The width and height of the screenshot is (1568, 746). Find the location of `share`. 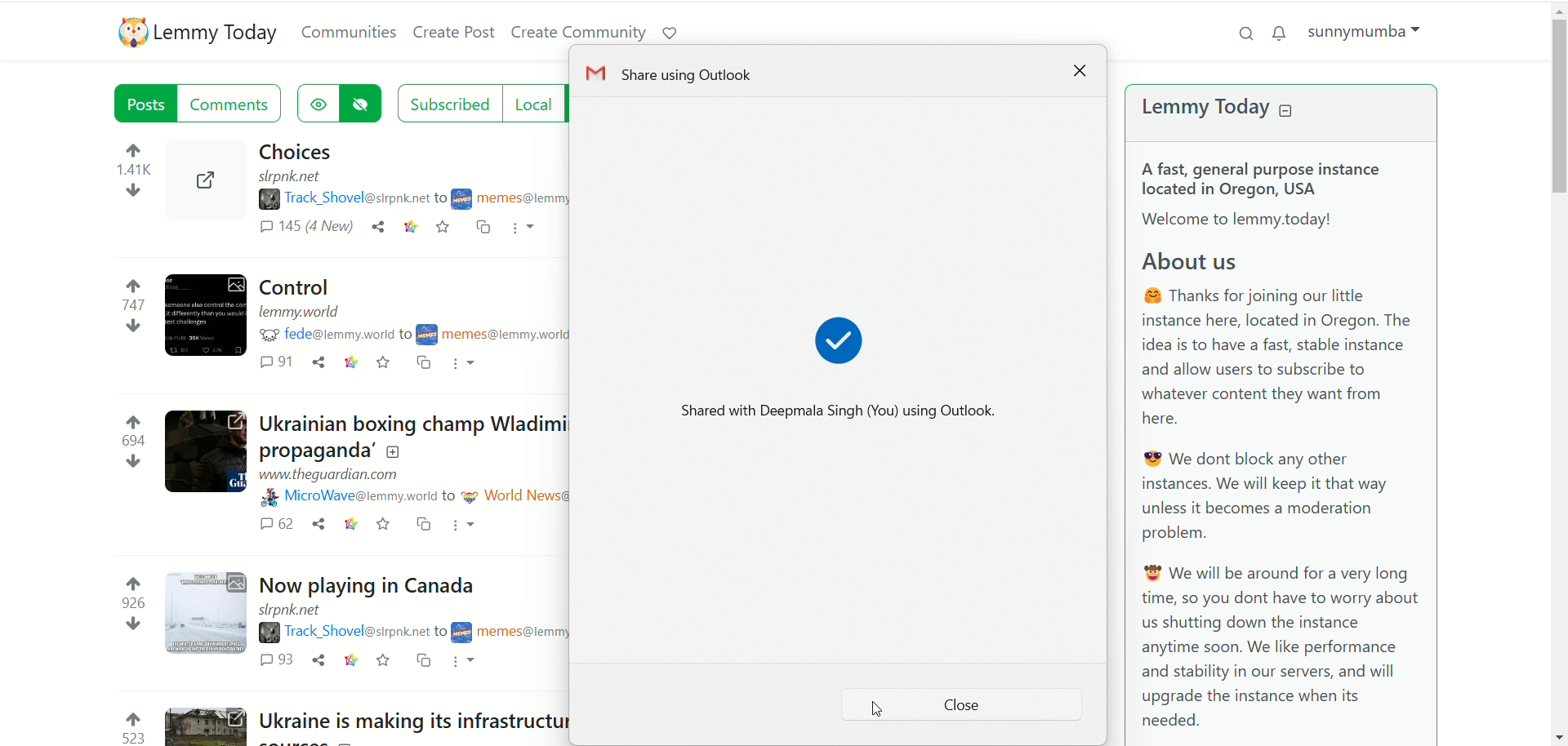

share is located at coordinates (318, 524).